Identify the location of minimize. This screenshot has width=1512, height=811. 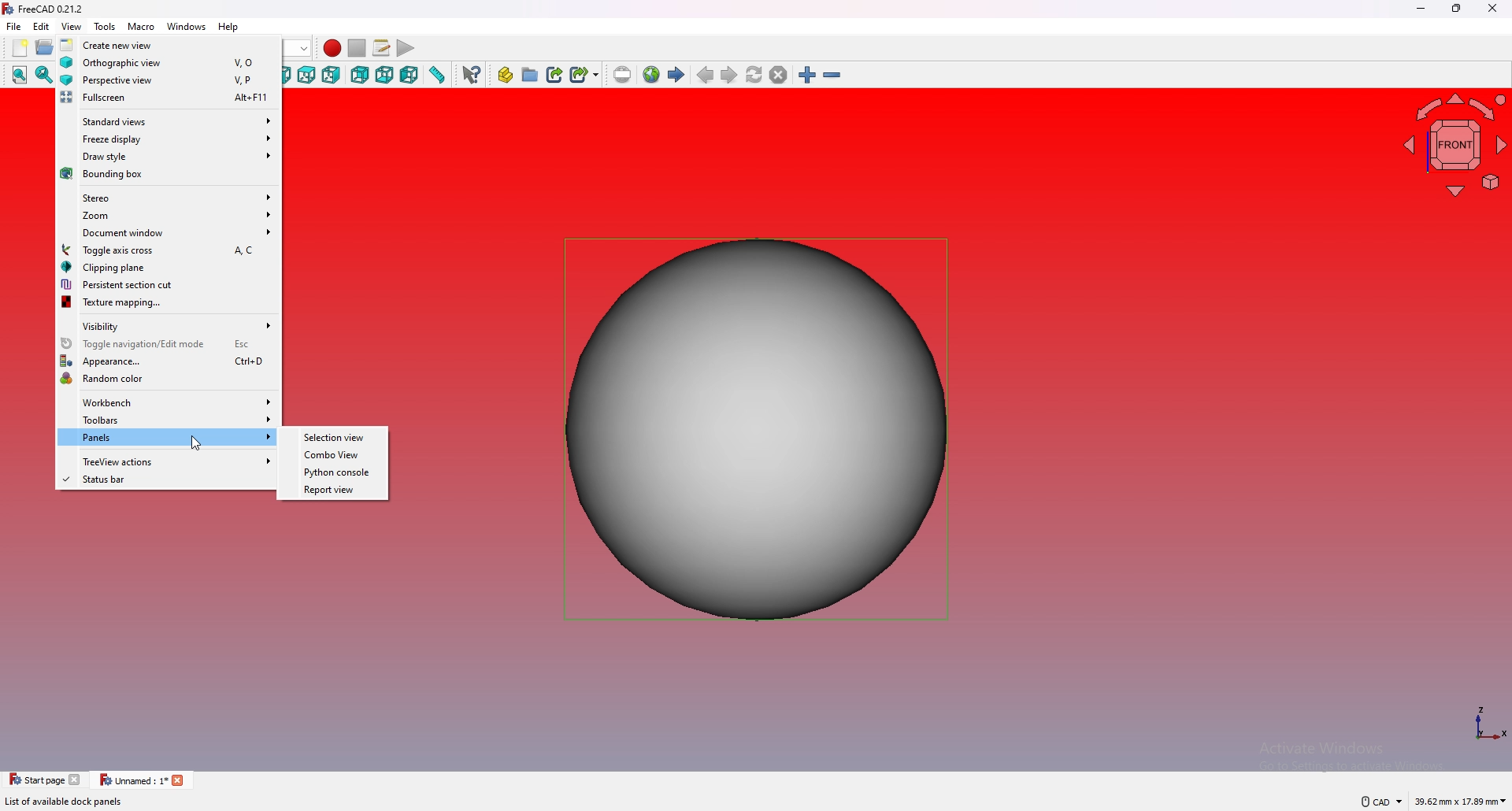
(1421, 9).